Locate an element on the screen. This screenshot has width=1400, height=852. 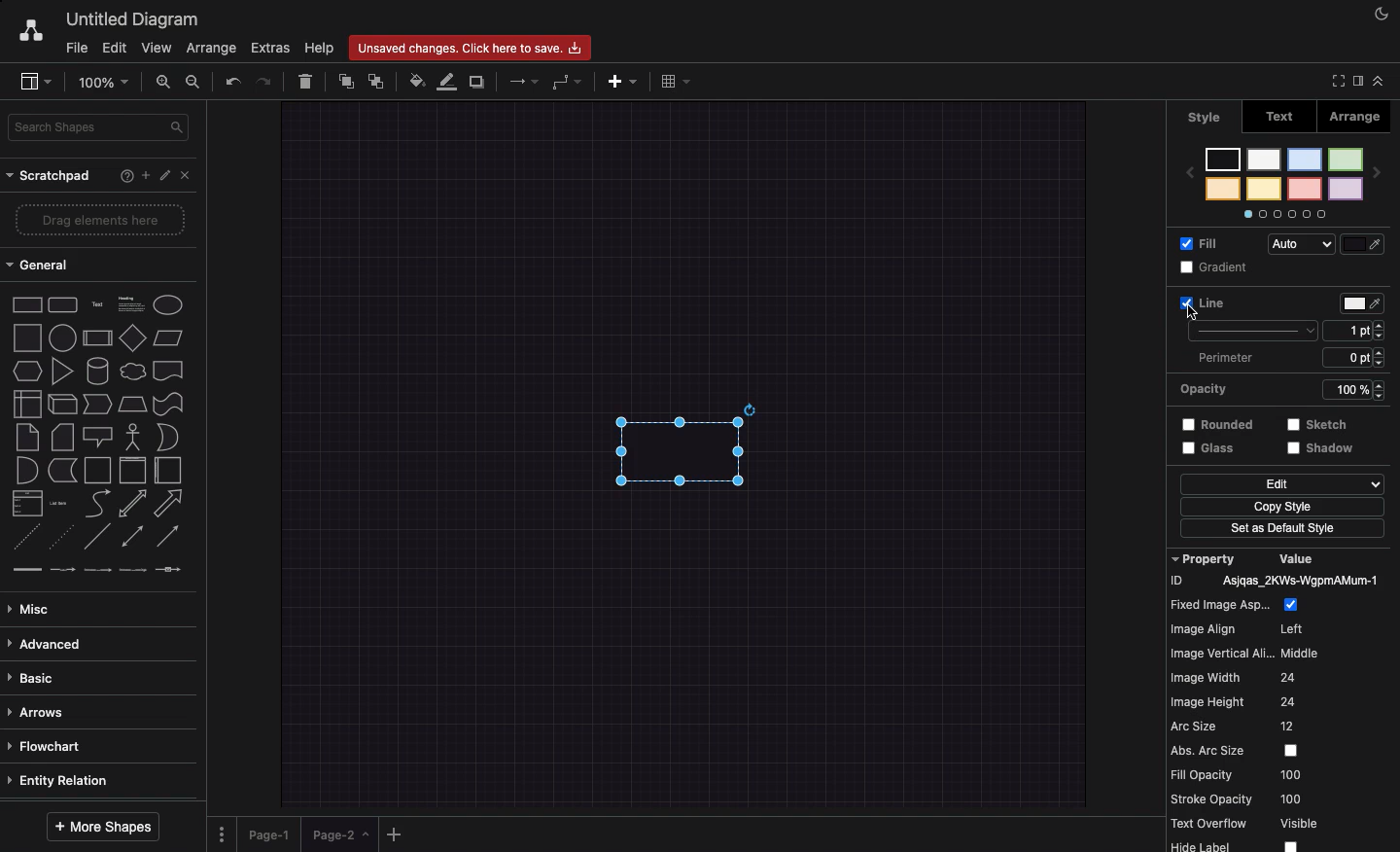
heading is located at coordinates (130, 302).